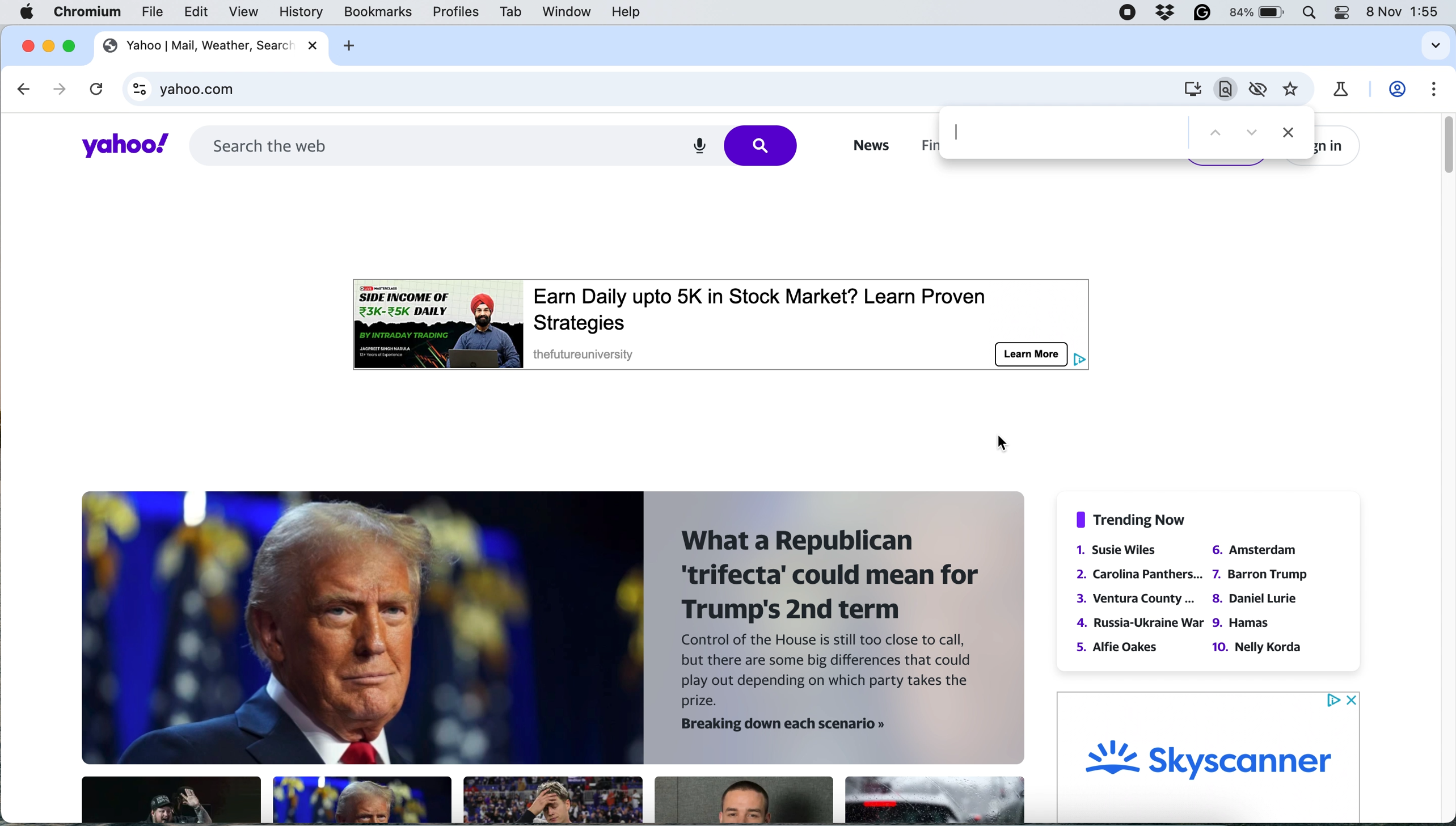 The width and height of the screenshot is (1456, 826). Describe the element at coordinates (378, 14) in the screenshot. I see `bookmarks` at that location.